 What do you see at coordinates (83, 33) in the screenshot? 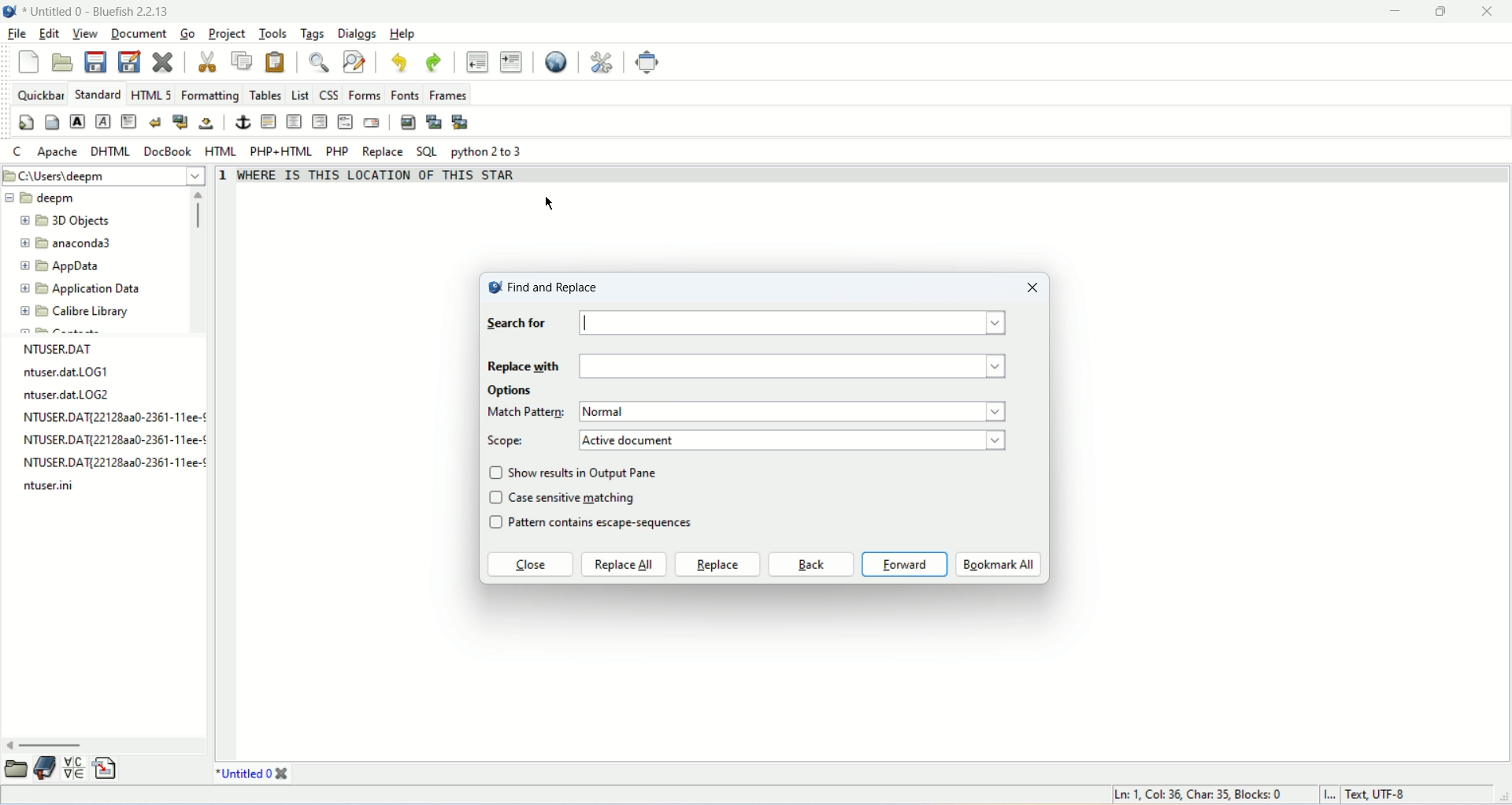
I see `view` at bounding box center [83, 33].